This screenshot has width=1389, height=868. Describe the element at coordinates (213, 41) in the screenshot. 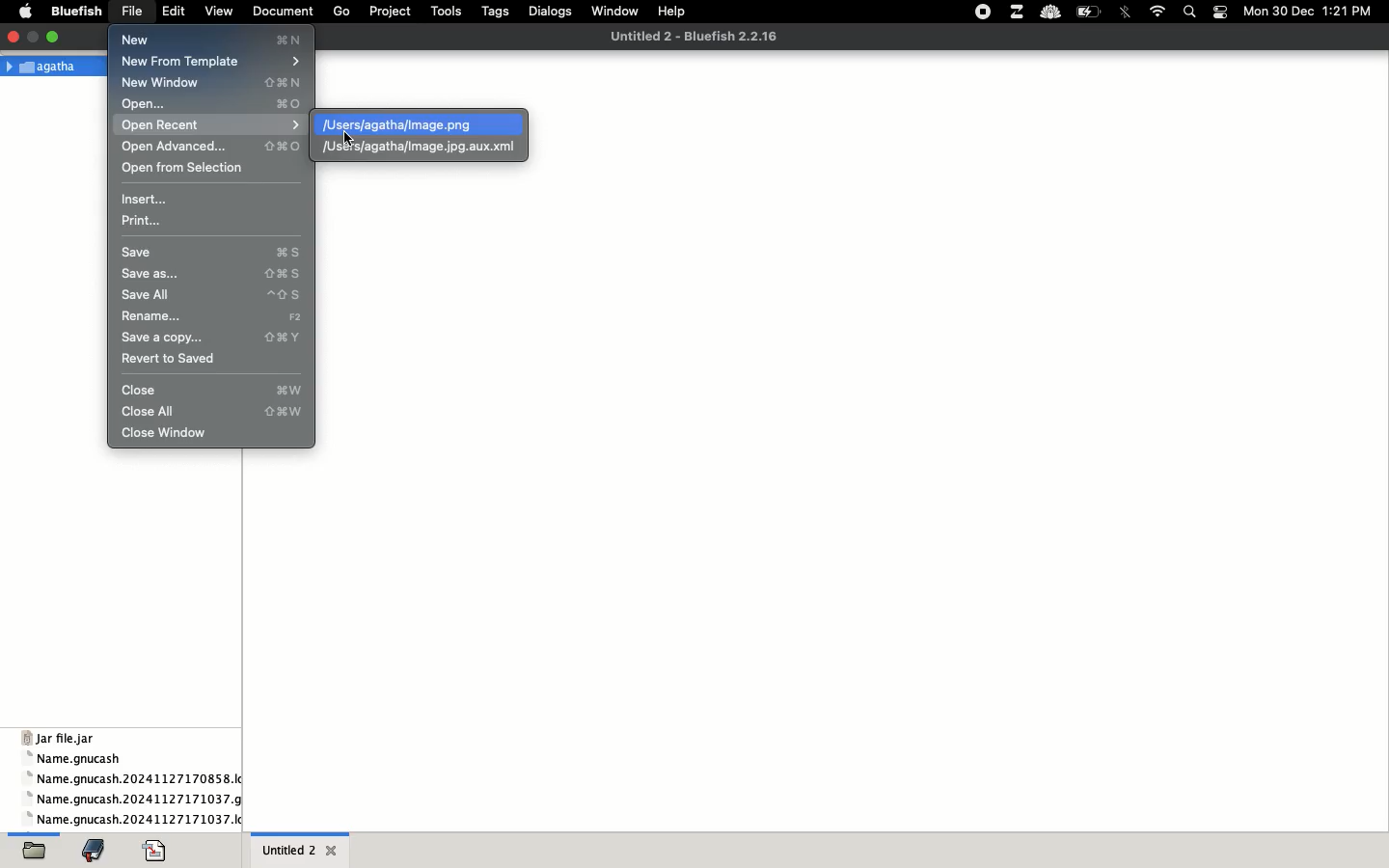

I see `new` at that location.